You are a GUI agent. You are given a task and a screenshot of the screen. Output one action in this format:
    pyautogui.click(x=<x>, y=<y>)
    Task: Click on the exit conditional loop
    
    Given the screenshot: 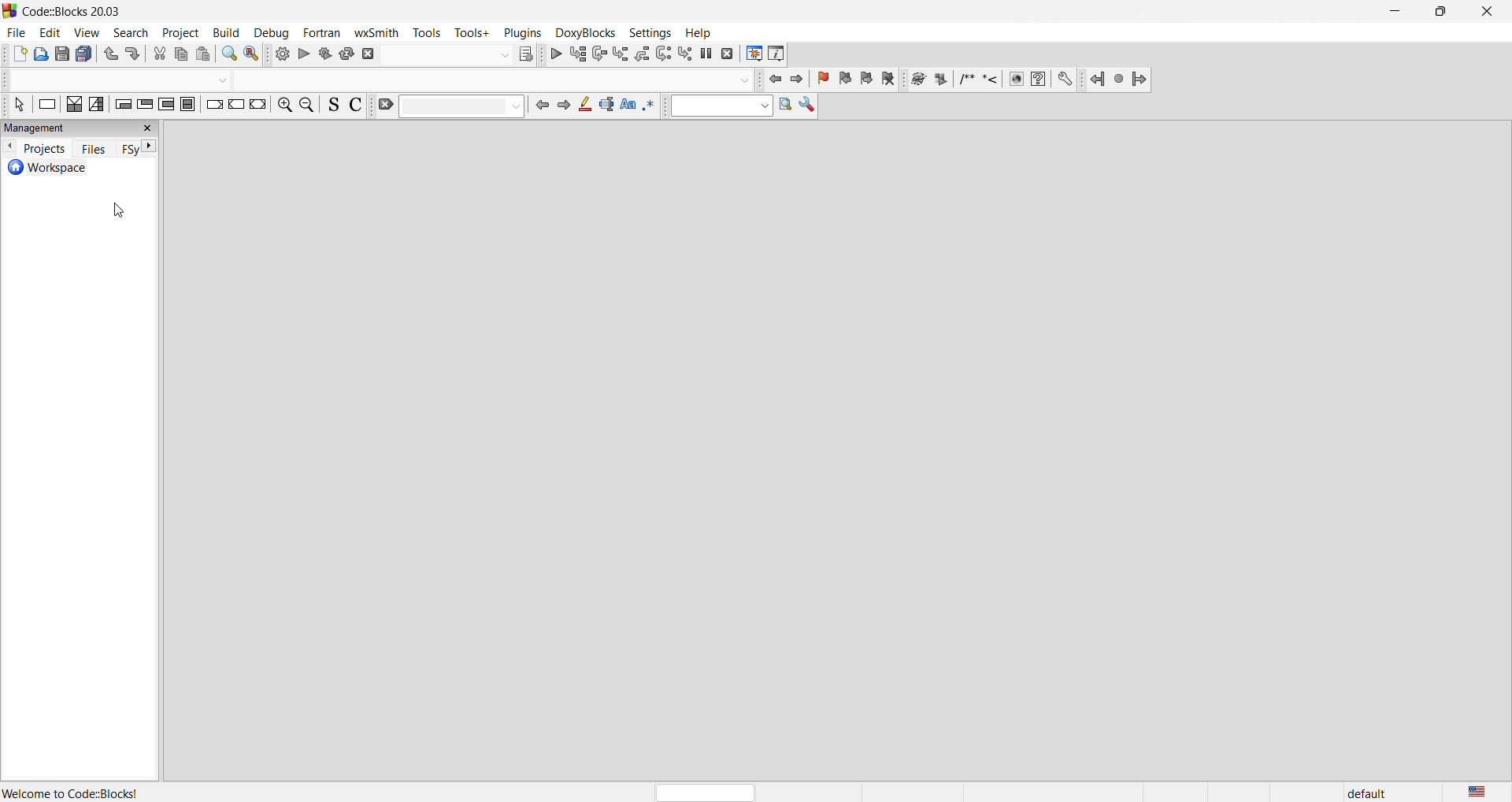 What is the action you would take?
    pyautogui.click(x=146, y=105)
    